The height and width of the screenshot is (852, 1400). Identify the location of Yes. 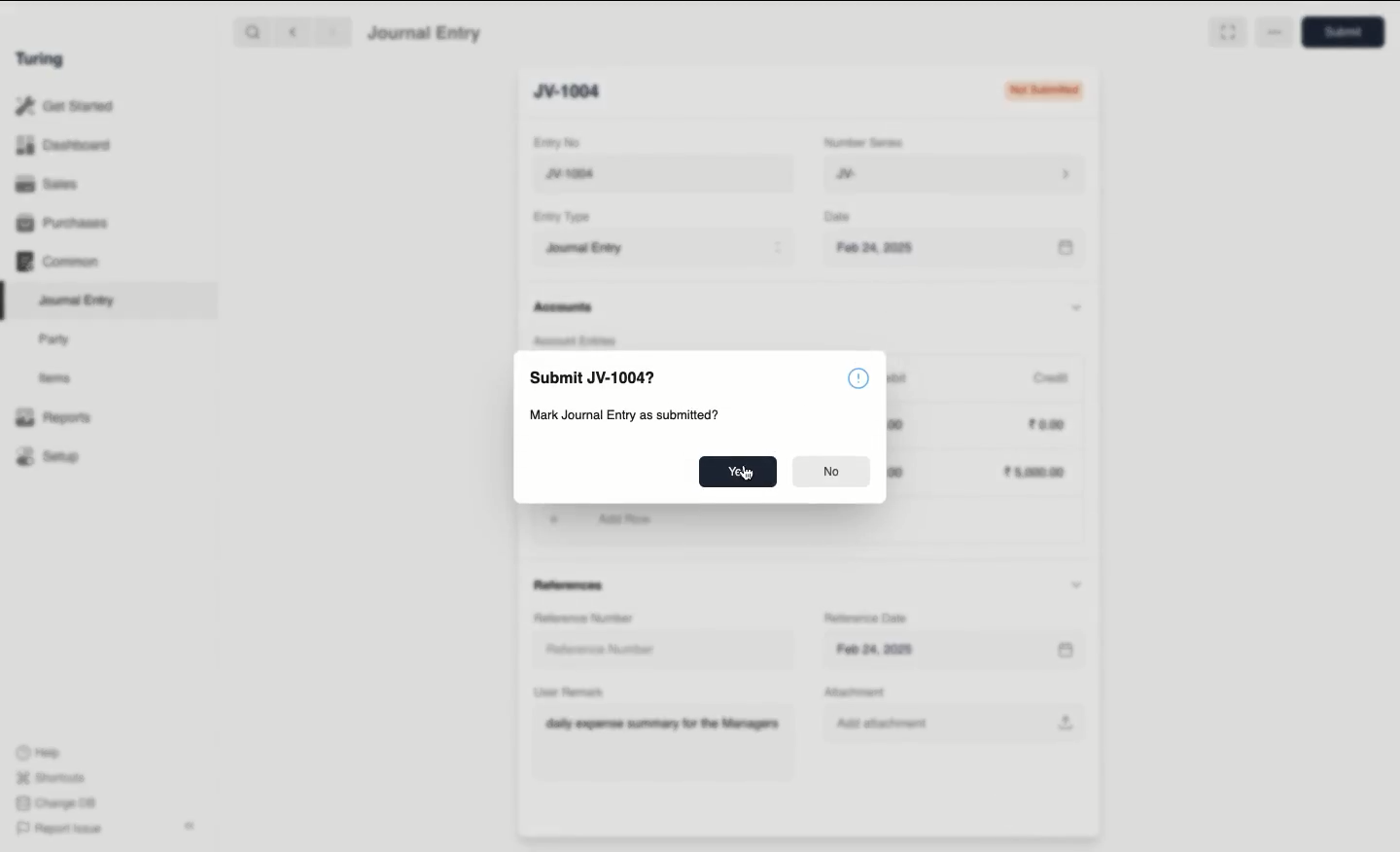
(738, 472).